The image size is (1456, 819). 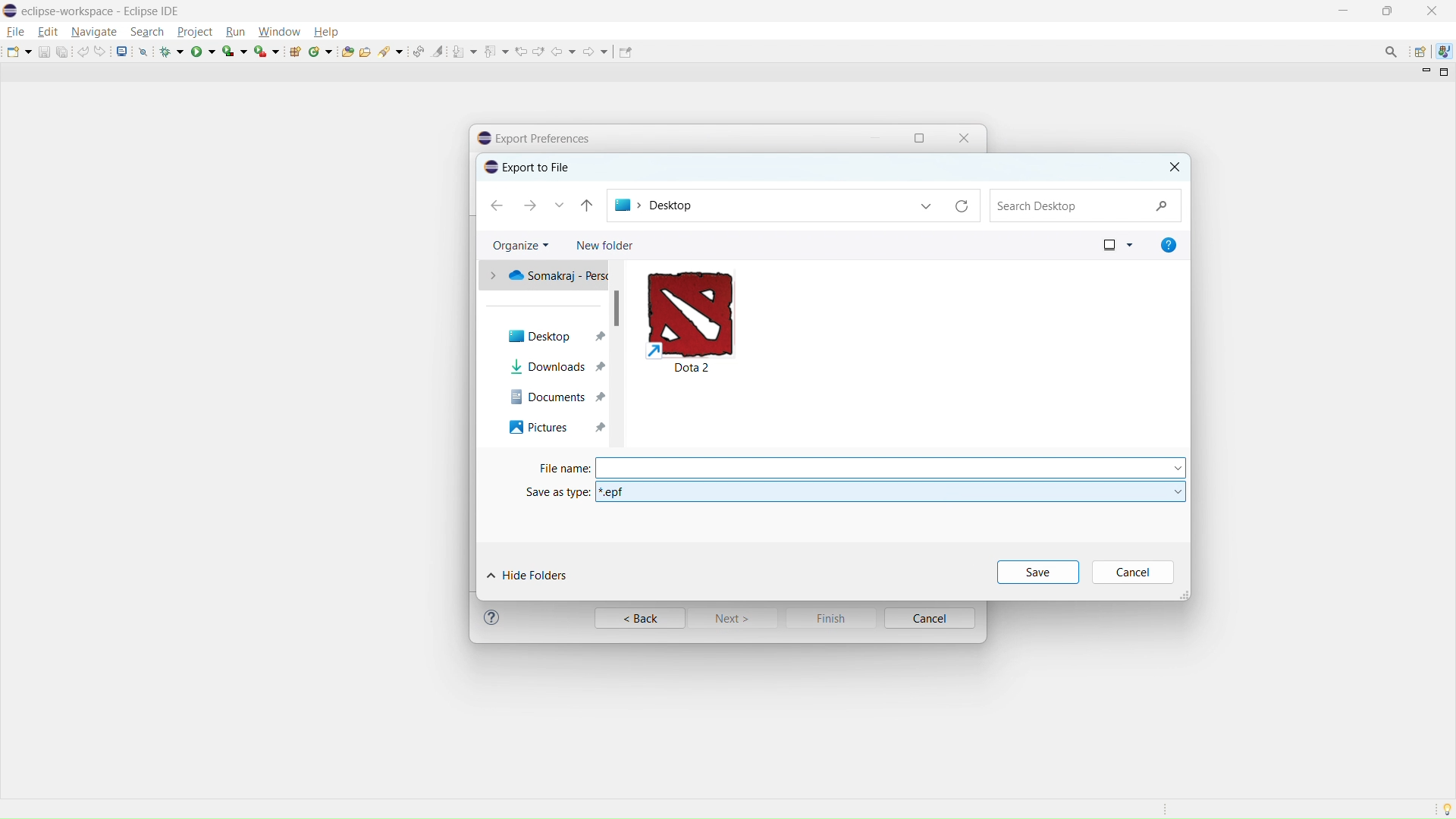 What do you see at coordinates (321, 52) in the screenshot?
I see `new java class` at bounding box center [321, 52].